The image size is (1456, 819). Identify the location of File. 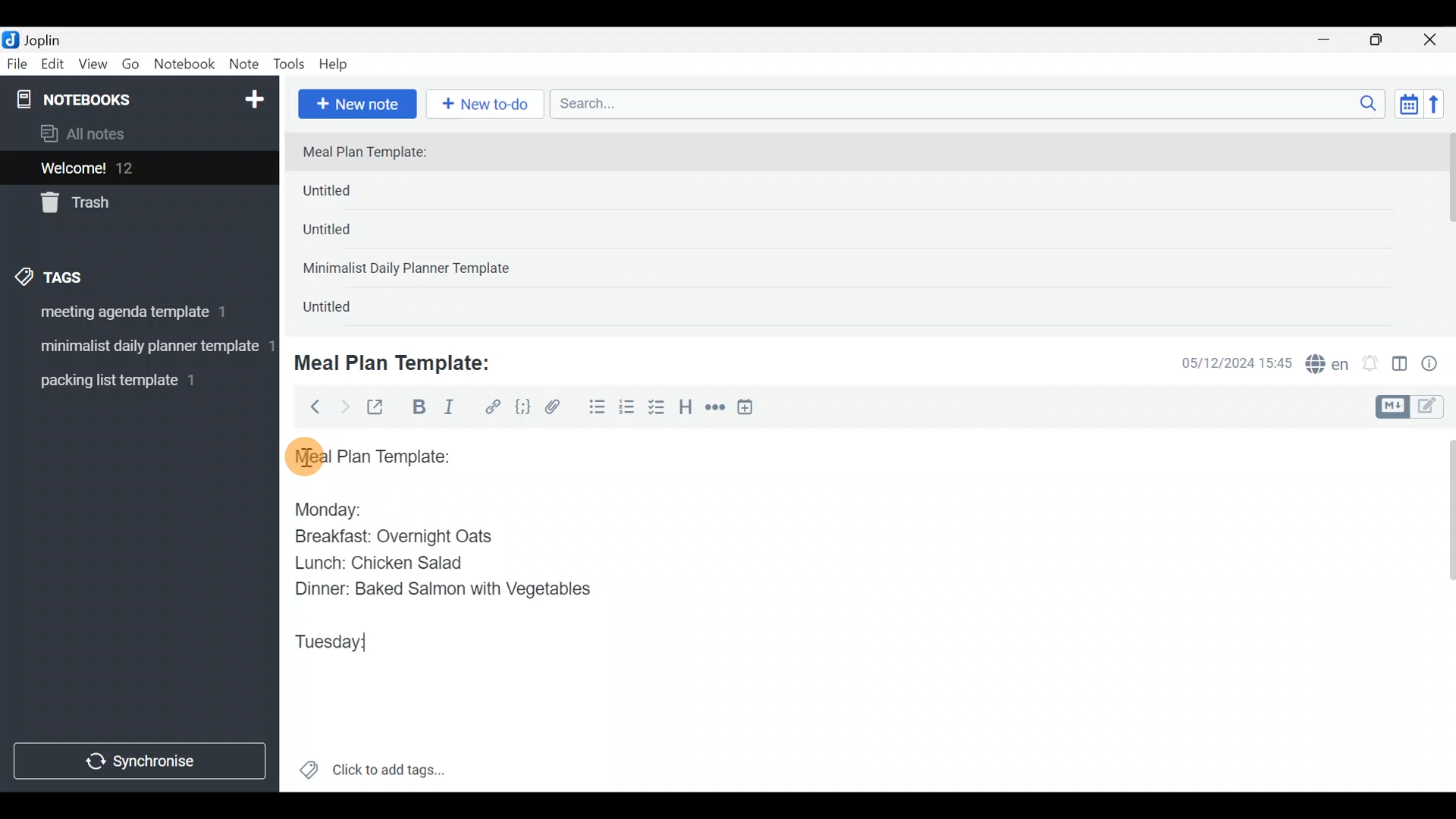
(18, 64).